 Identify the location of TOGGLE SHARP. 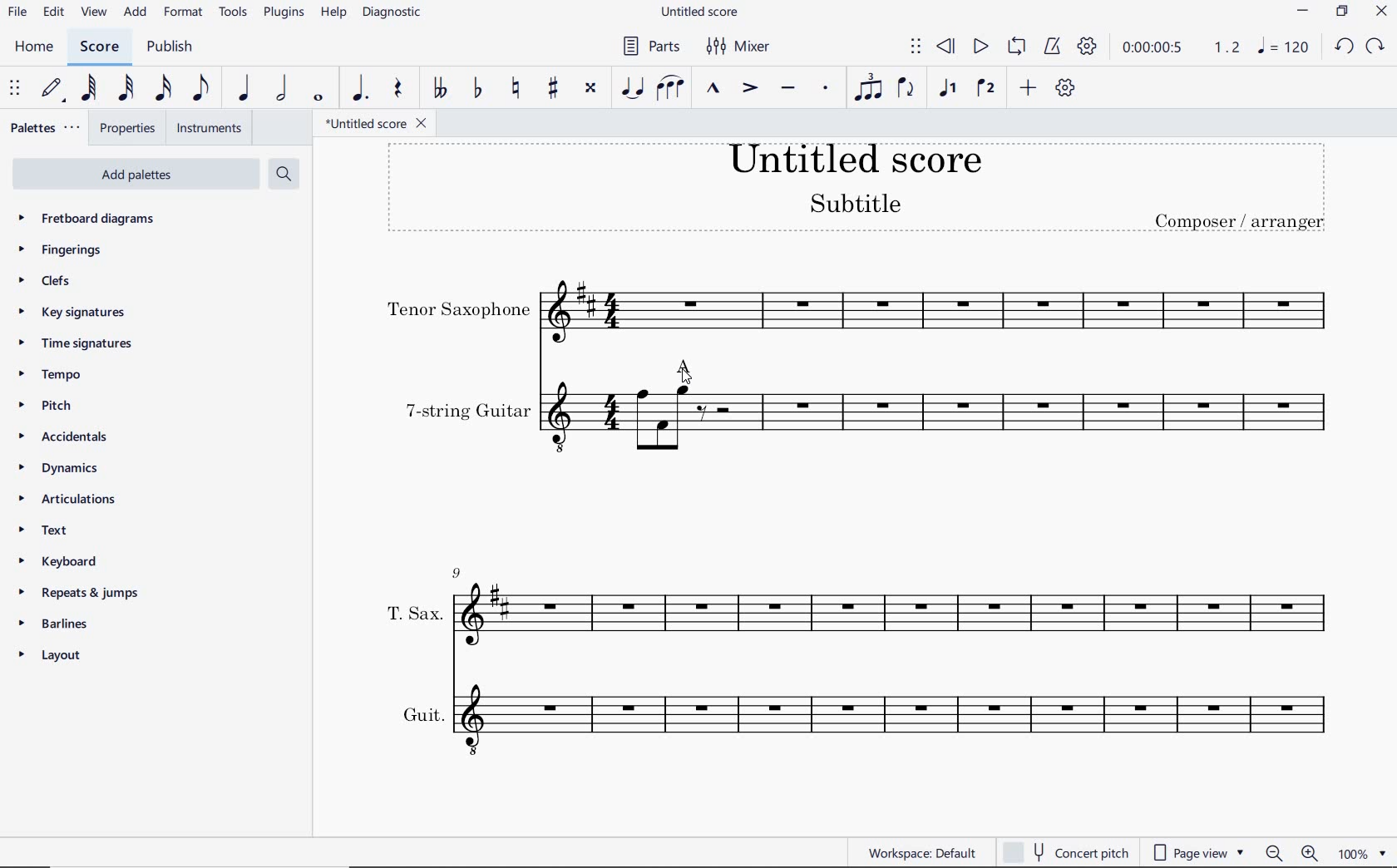
(553, 90).